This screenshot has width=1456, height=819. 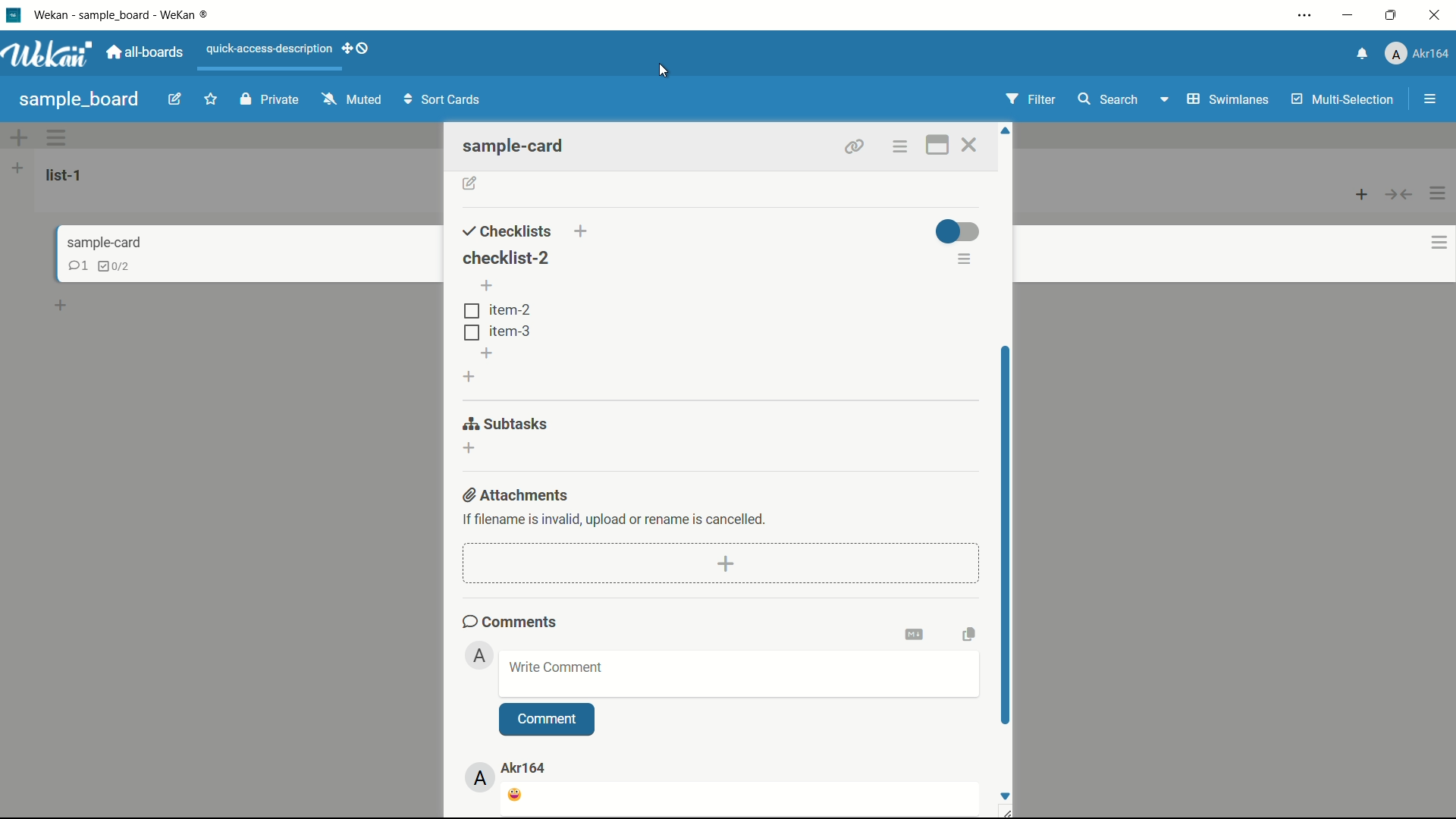 What do you see at coordinates (488, 353) in the screenshot?
I see `add item` at bounding box center [488, 353].